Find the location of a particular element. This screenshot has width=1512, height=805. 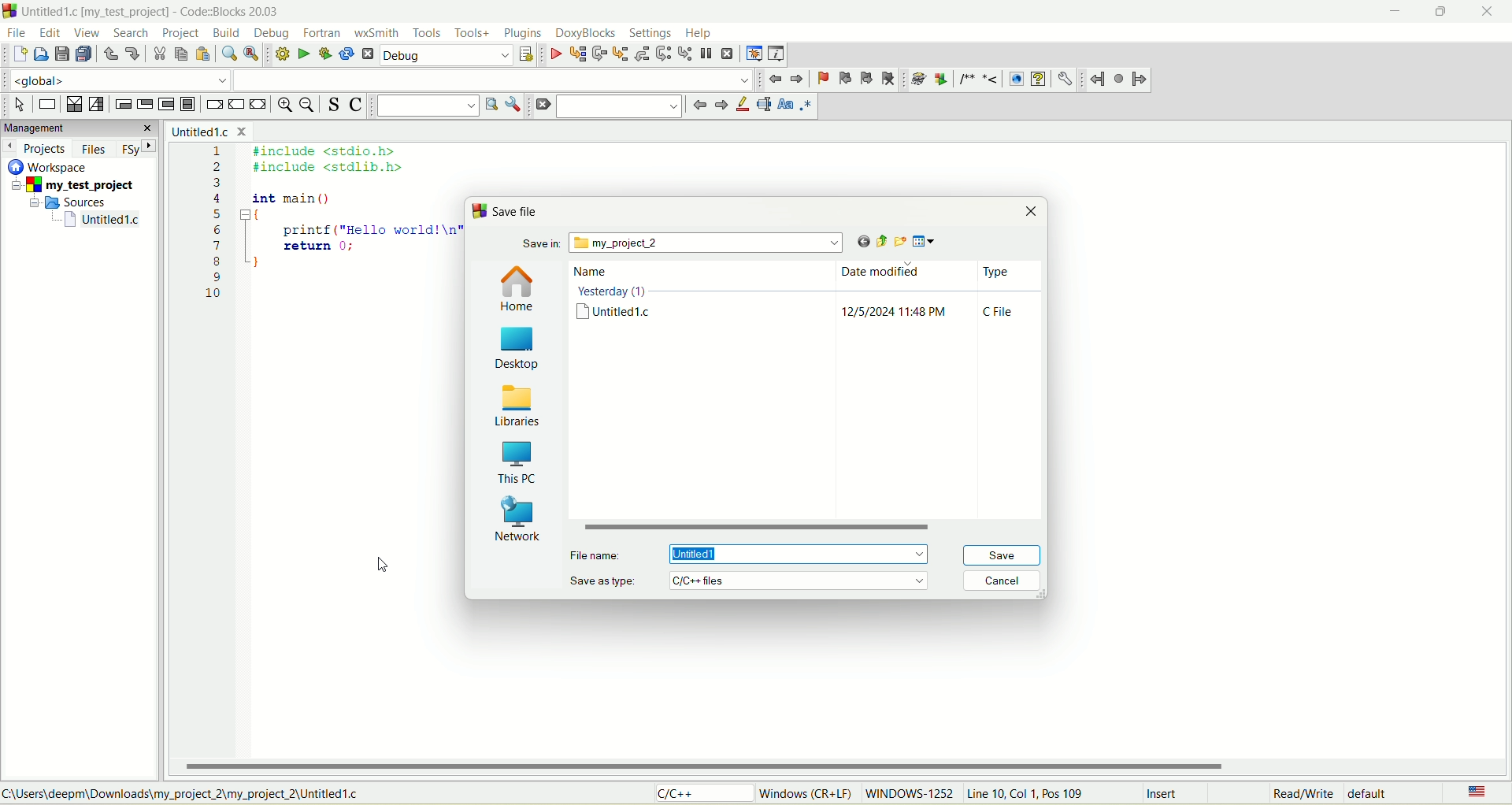

break debugger is located at coordinates (706, 54).